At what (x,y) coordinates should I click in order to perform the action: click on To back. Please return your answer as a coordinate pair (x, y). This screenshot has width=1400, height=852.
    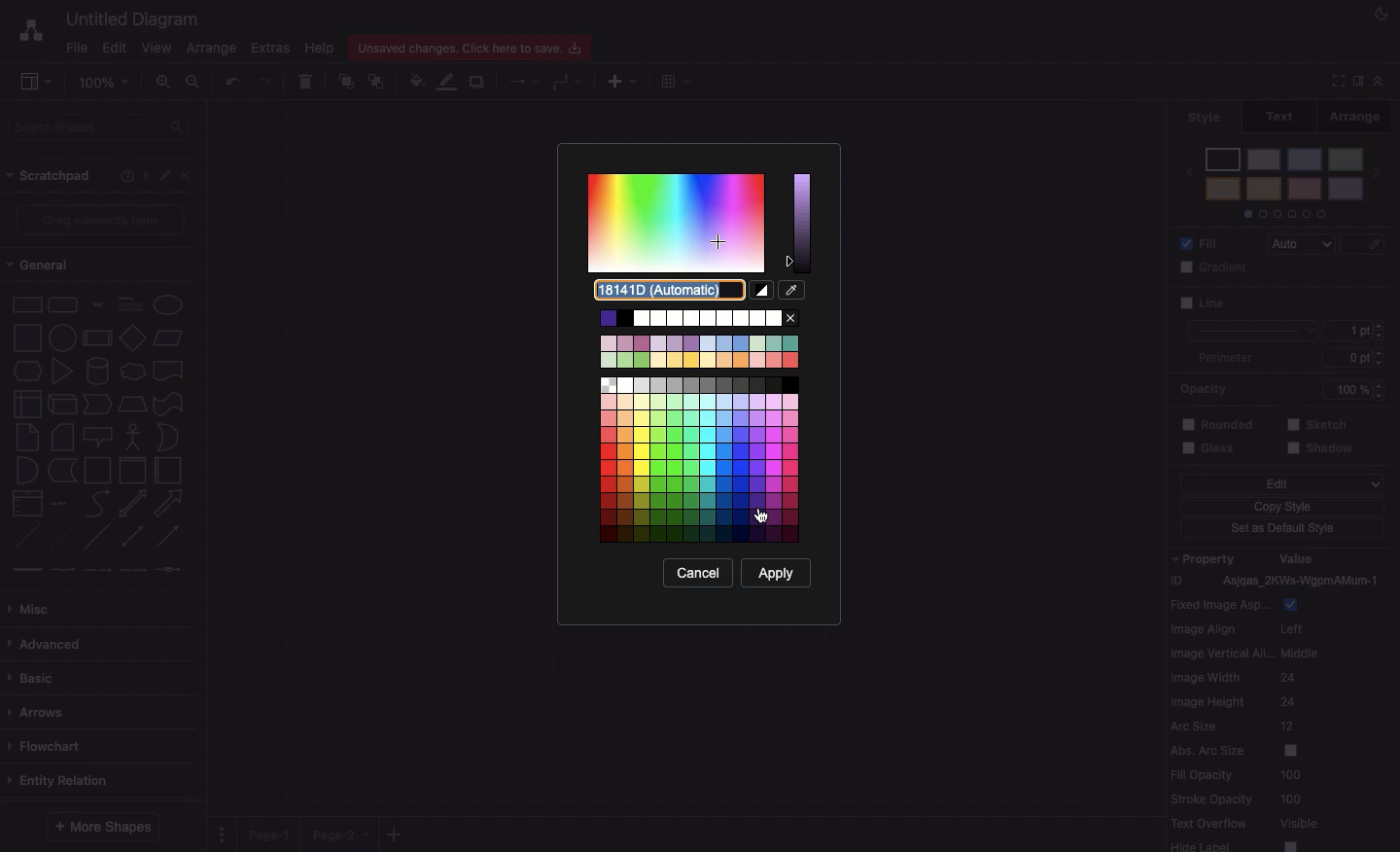
    Looking at the image, I should click on (380, 81).